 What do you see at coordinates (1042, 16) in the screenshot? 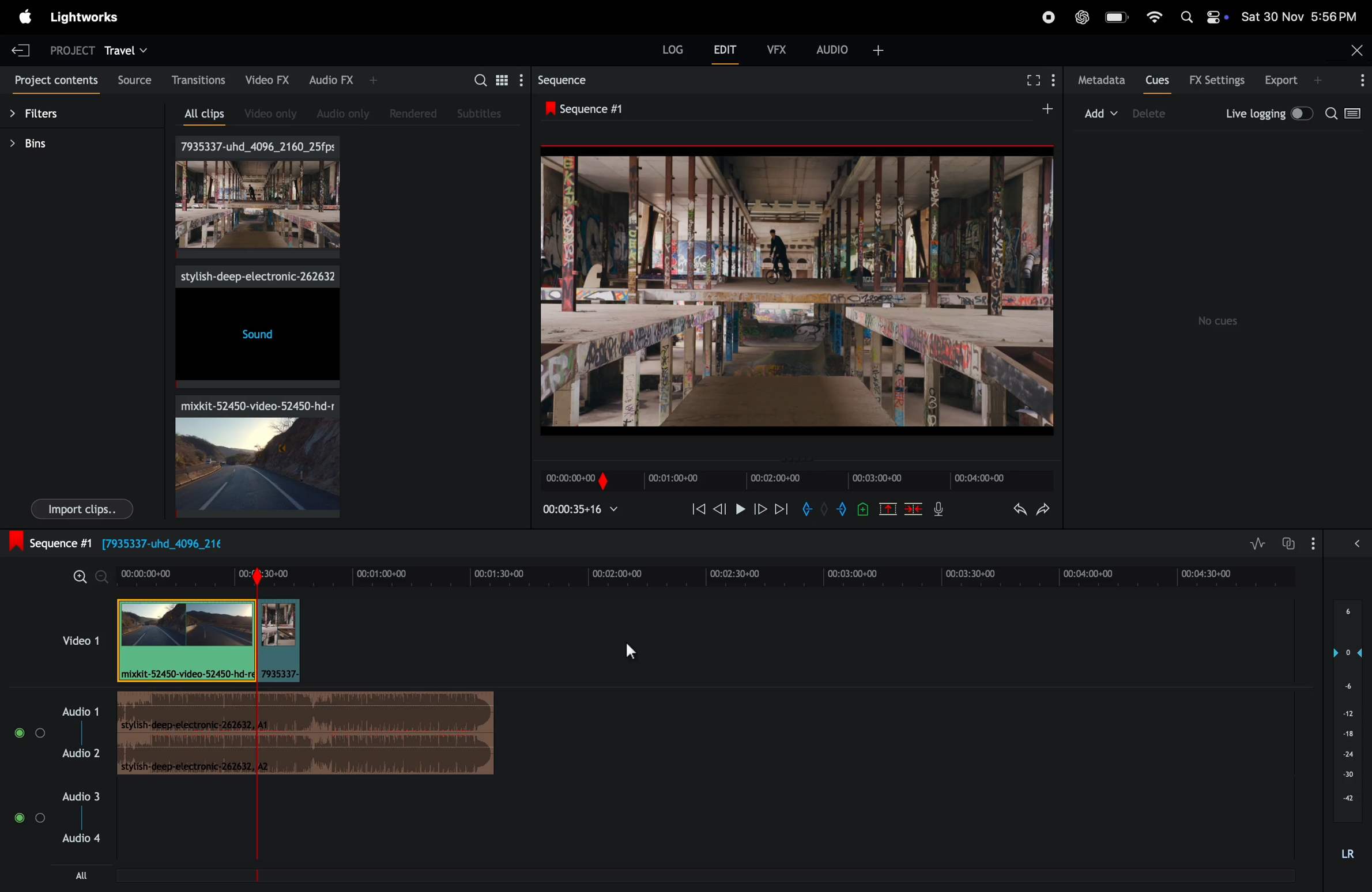
I see `record` at bounding box center [1042, 16].